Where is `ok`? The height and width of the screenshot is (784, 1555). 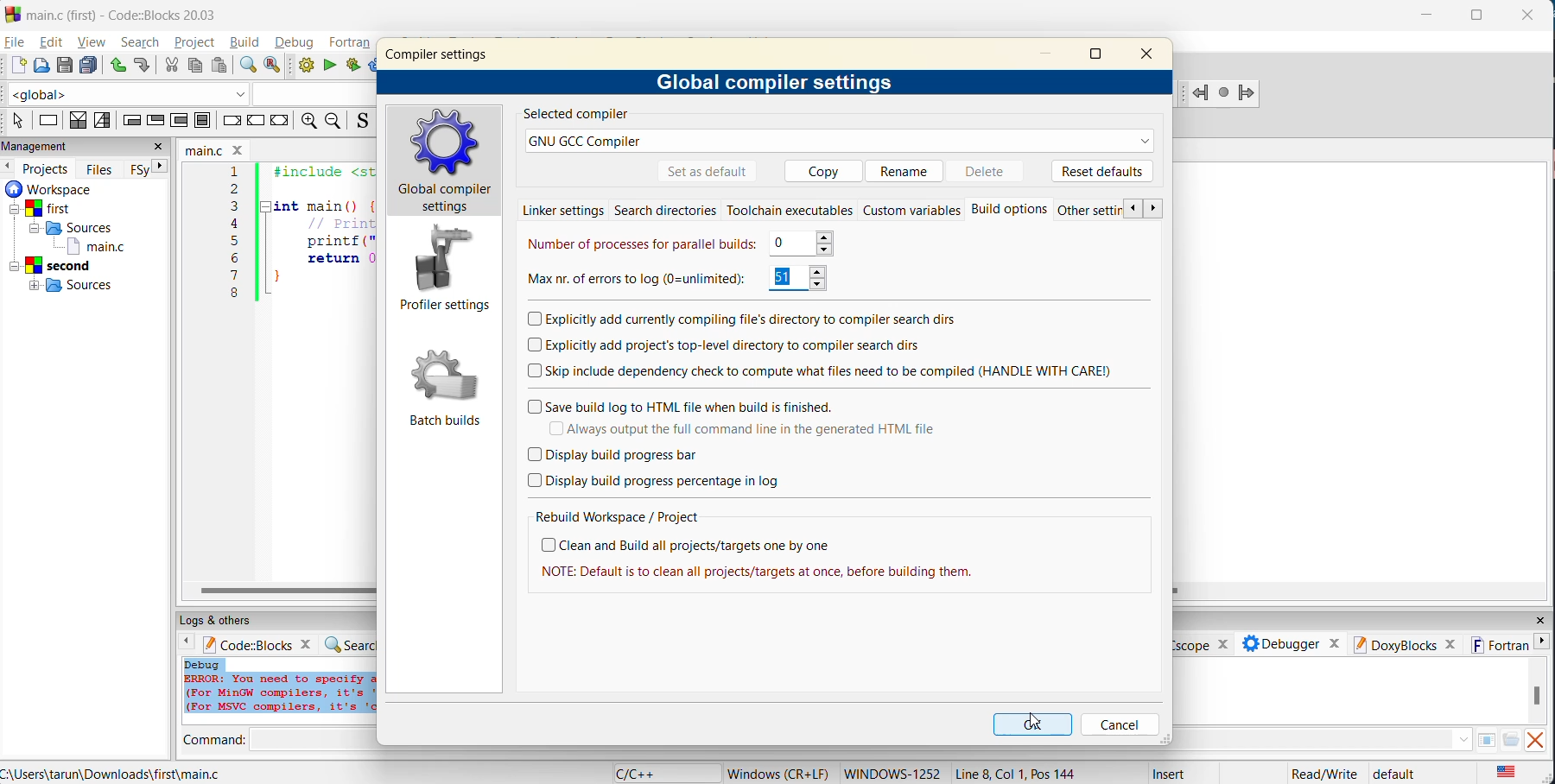 ok is located at coordinates (1033, 724).